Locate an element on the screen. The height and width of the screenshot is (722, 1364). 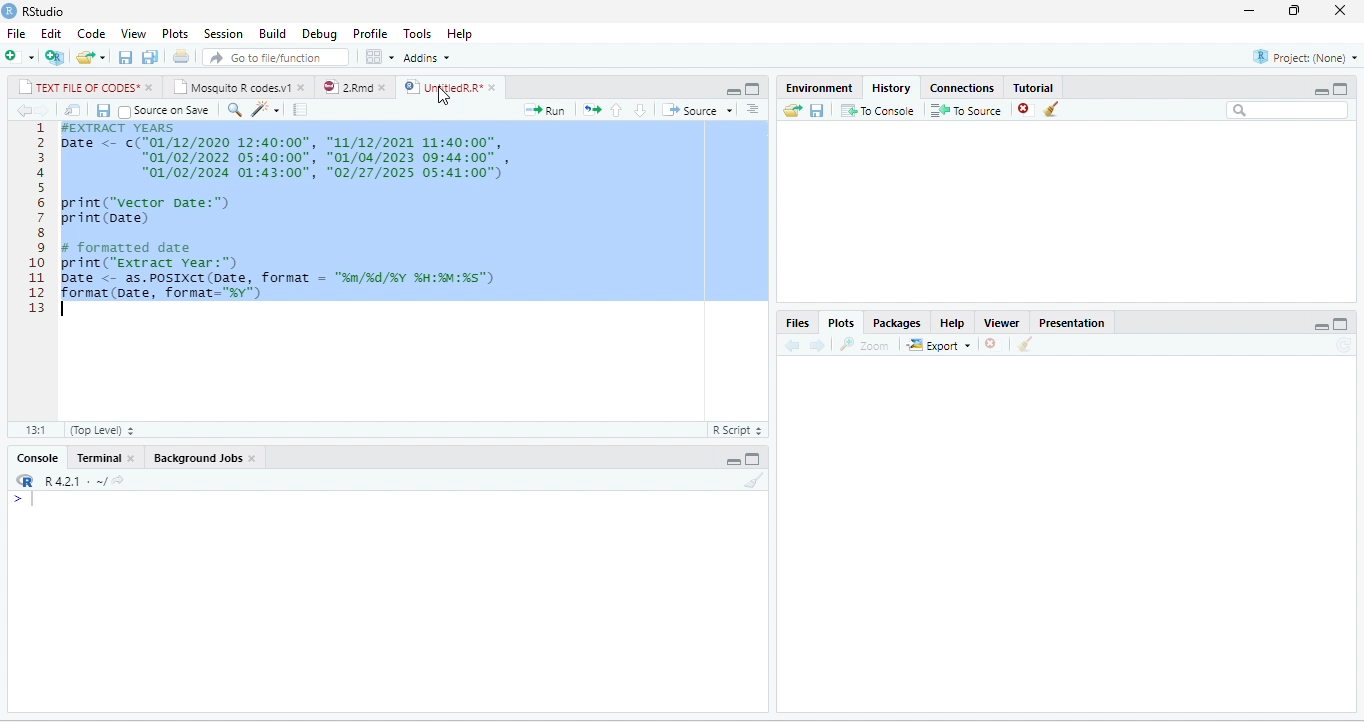
> is located at coordinates (24, 499).